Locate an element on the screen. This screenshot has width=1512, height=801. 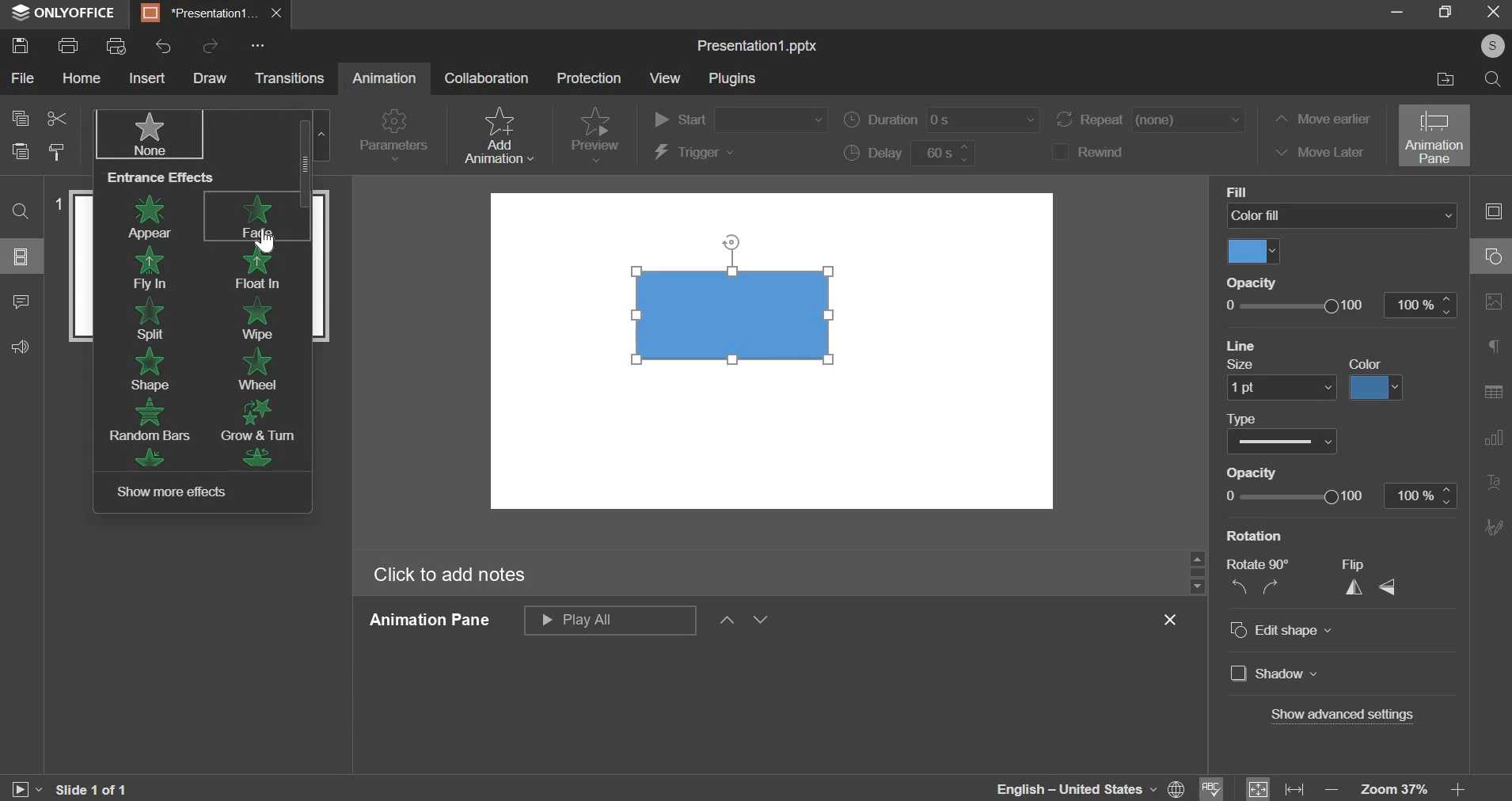
grow & turn  is located at coordinates (258, 419).